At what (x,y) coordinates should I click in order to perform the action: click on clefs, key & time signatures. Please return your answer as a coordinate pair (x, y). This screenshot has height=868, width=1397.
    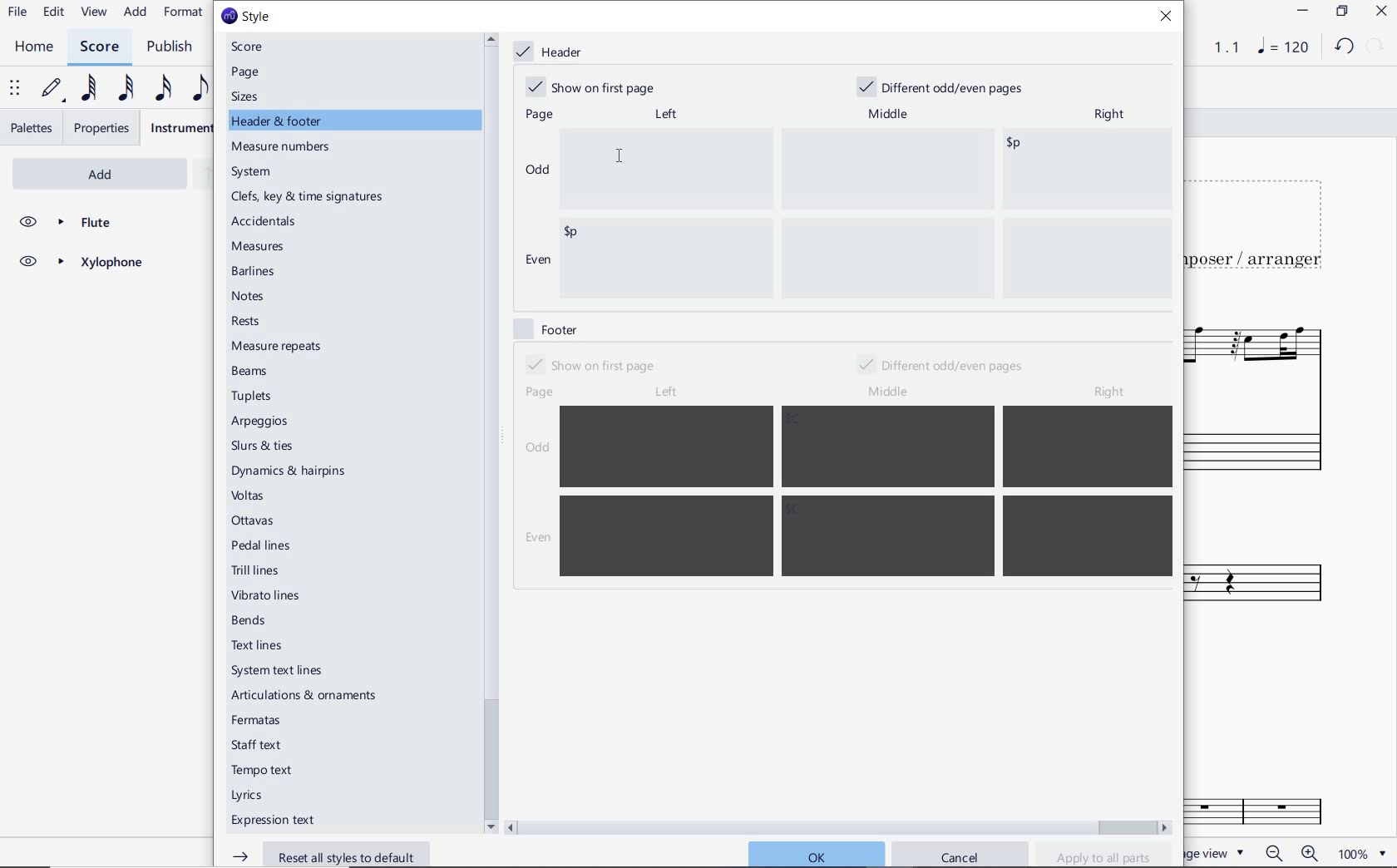
    Looking at the image, I should click on (311, 197).